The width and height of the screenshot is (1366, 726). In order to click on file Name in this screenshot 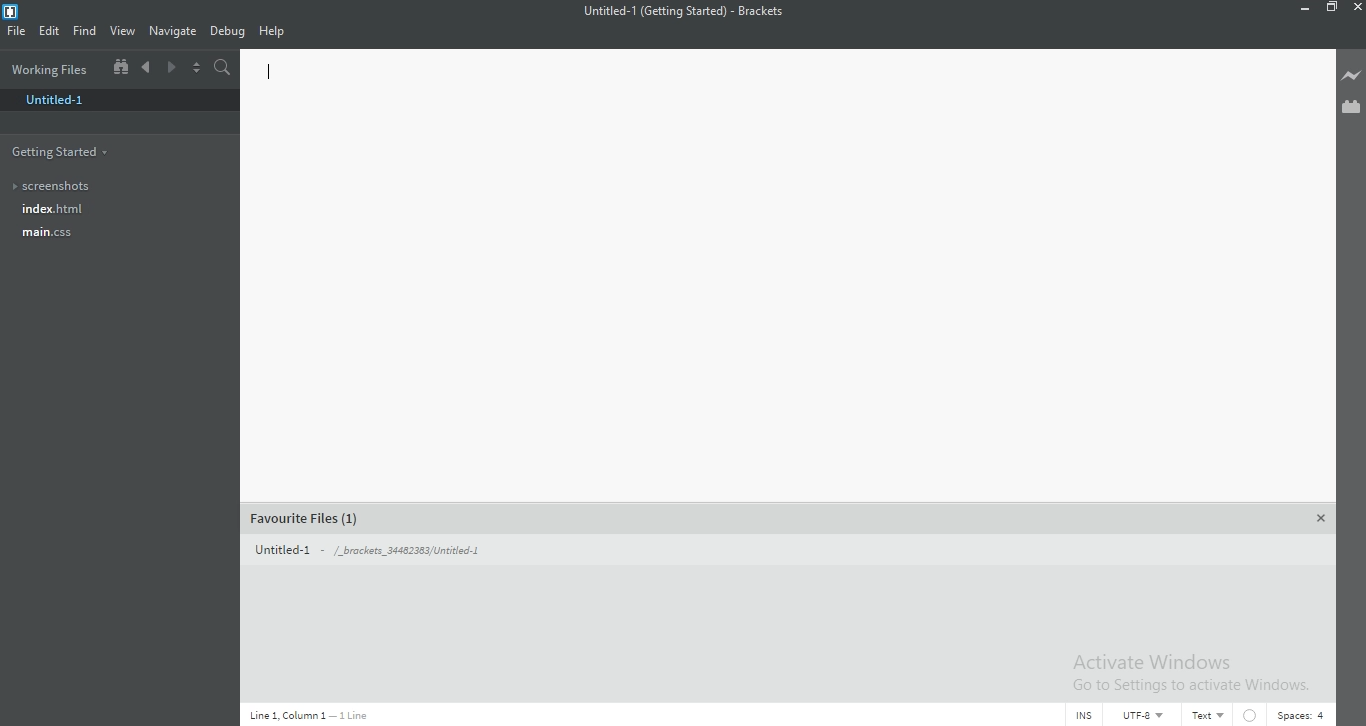, I will do `click(647, 13)`.